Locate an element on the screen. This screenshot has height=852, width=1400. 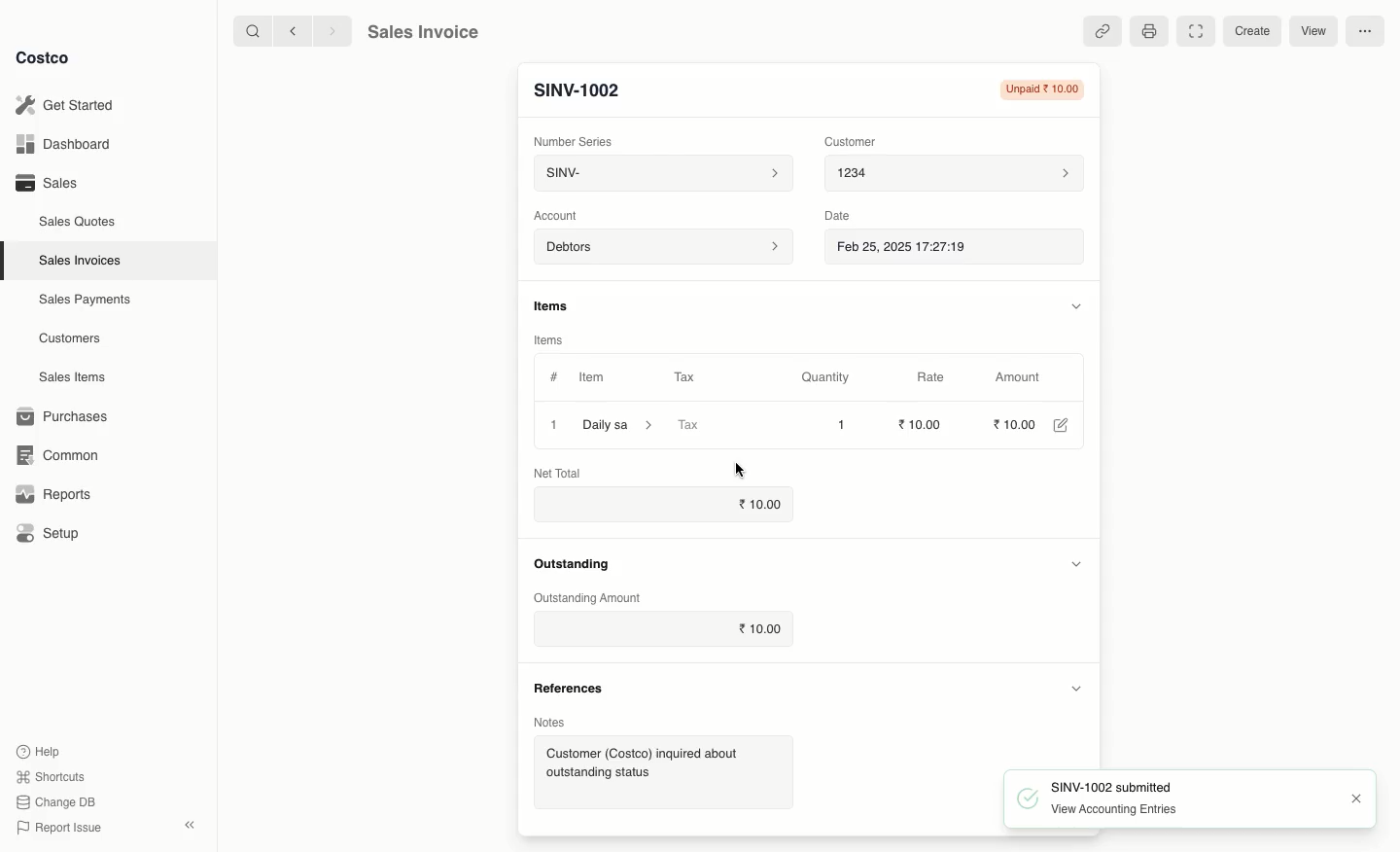
Sales Quotes is located at coordinates (75, 223).